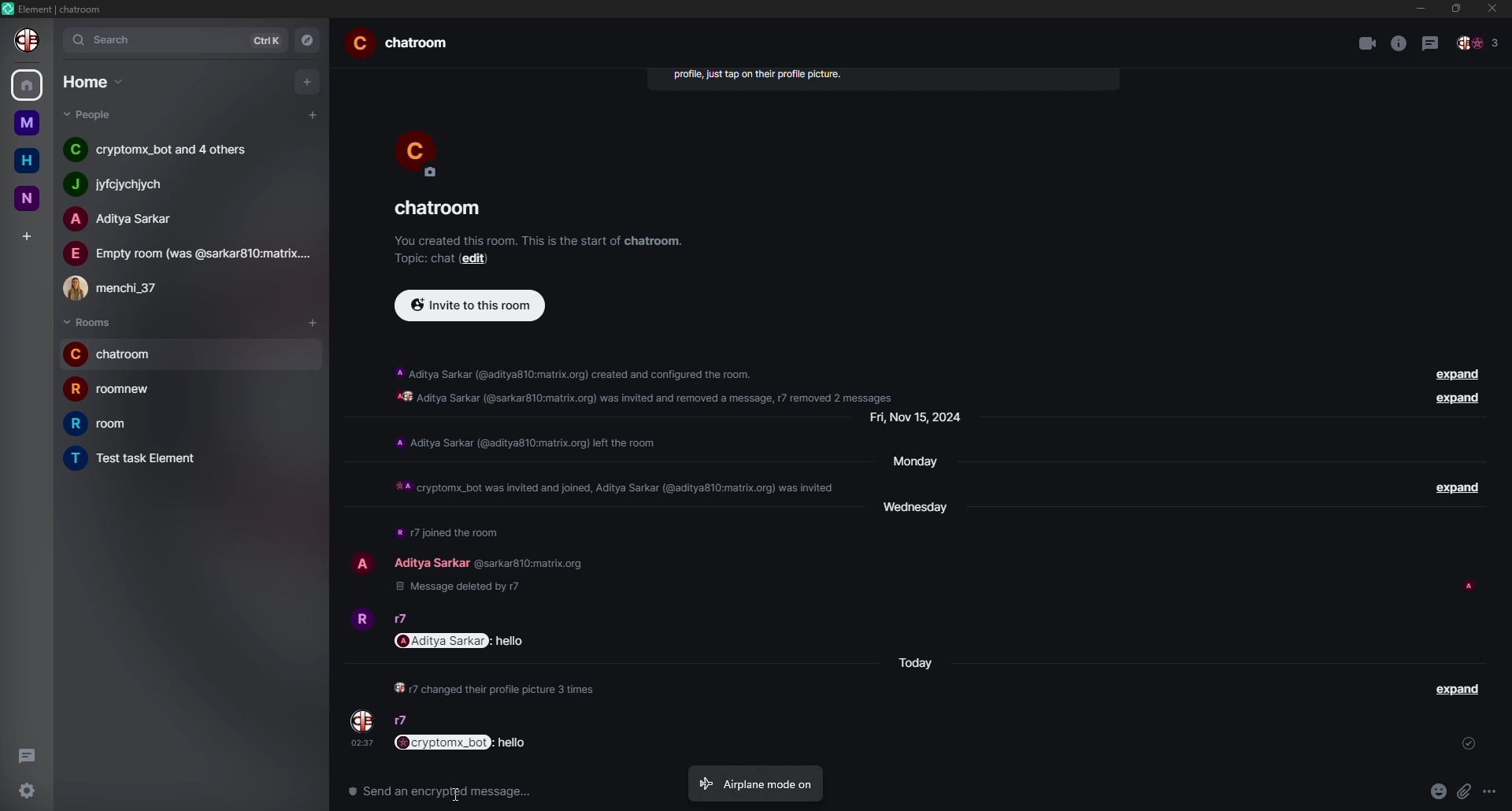 The image size is (1512, 811). What do you see at coordinates (91, 80) in the screenshot?
I see `home` at bounding box center [91, 80].